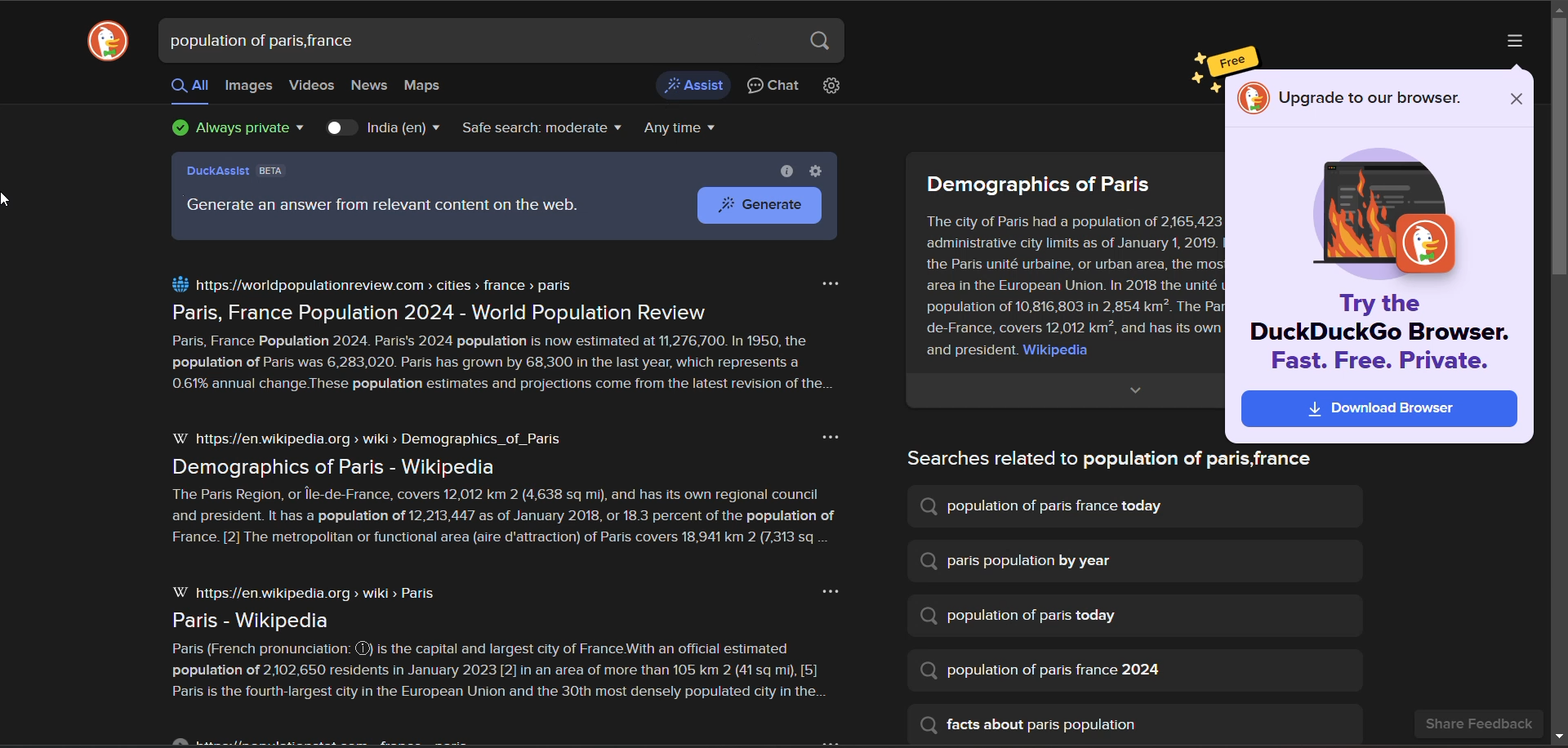 The width and height of the screenshot is (1568, 748). What do you see at coordinates (402, 128) in the screenshot?
I see `country` at bounding box center [402, 128].